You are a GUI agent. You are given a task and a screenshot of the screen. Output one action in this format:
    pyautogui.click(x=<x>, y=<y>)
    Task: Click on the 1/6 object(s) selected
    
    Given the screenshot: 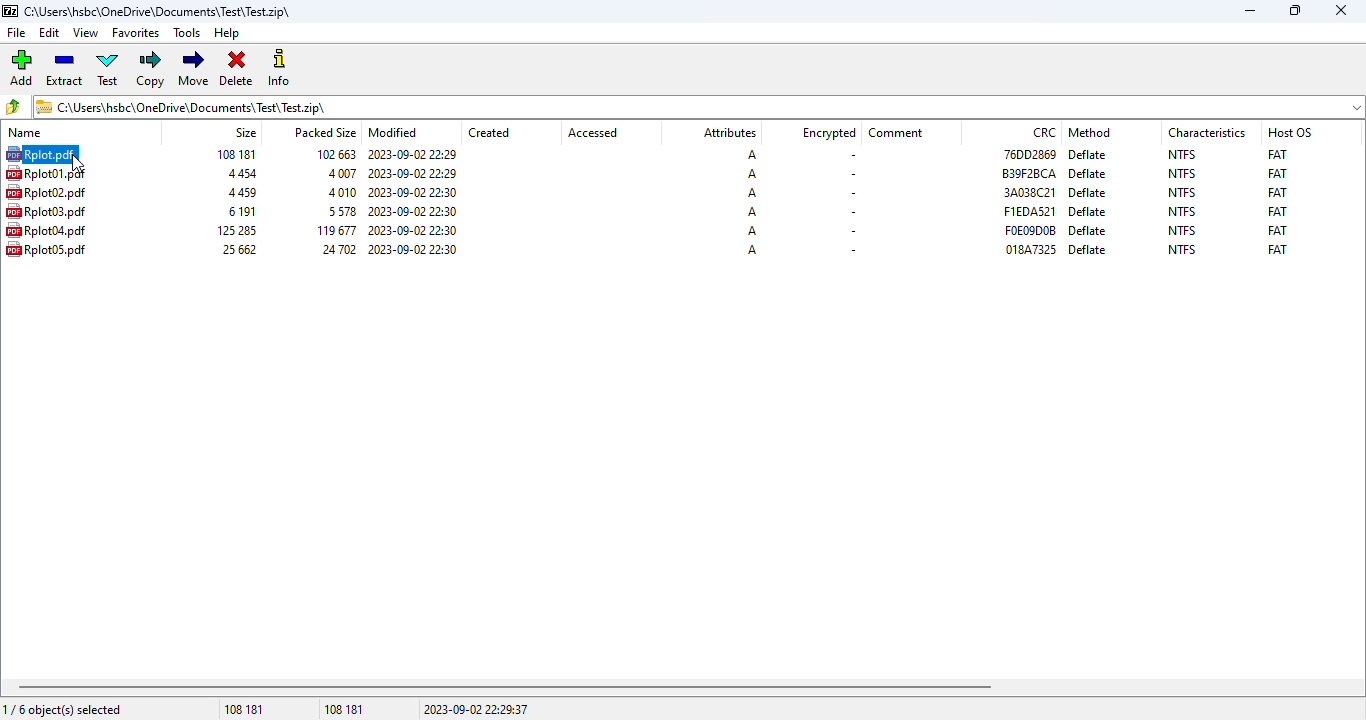 What is the action you would take?
    pyautogui.click(x=63, y=710)
    